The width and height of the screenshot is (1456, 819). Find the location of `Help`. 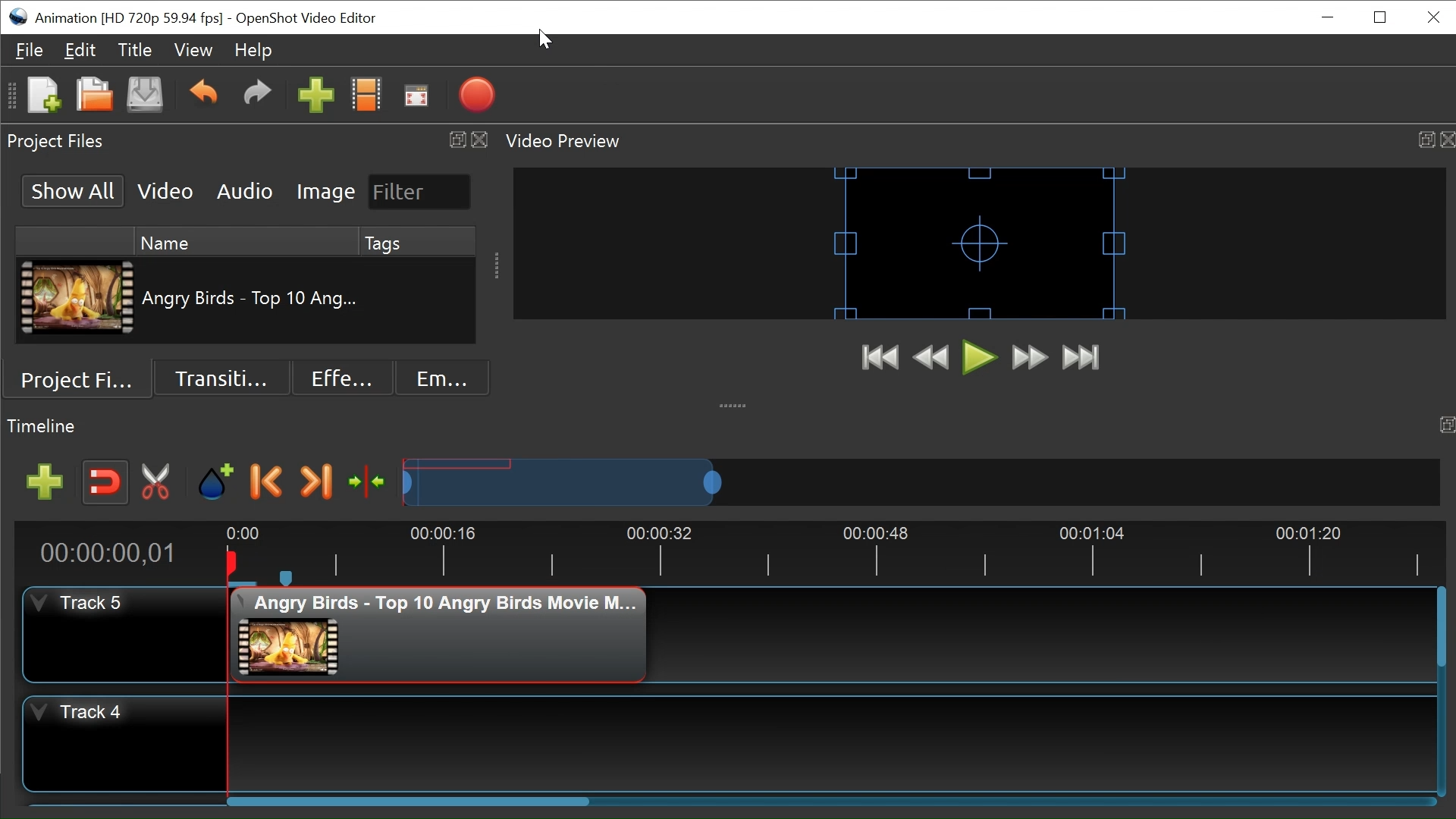

Help is located at coordinates (257, 52).